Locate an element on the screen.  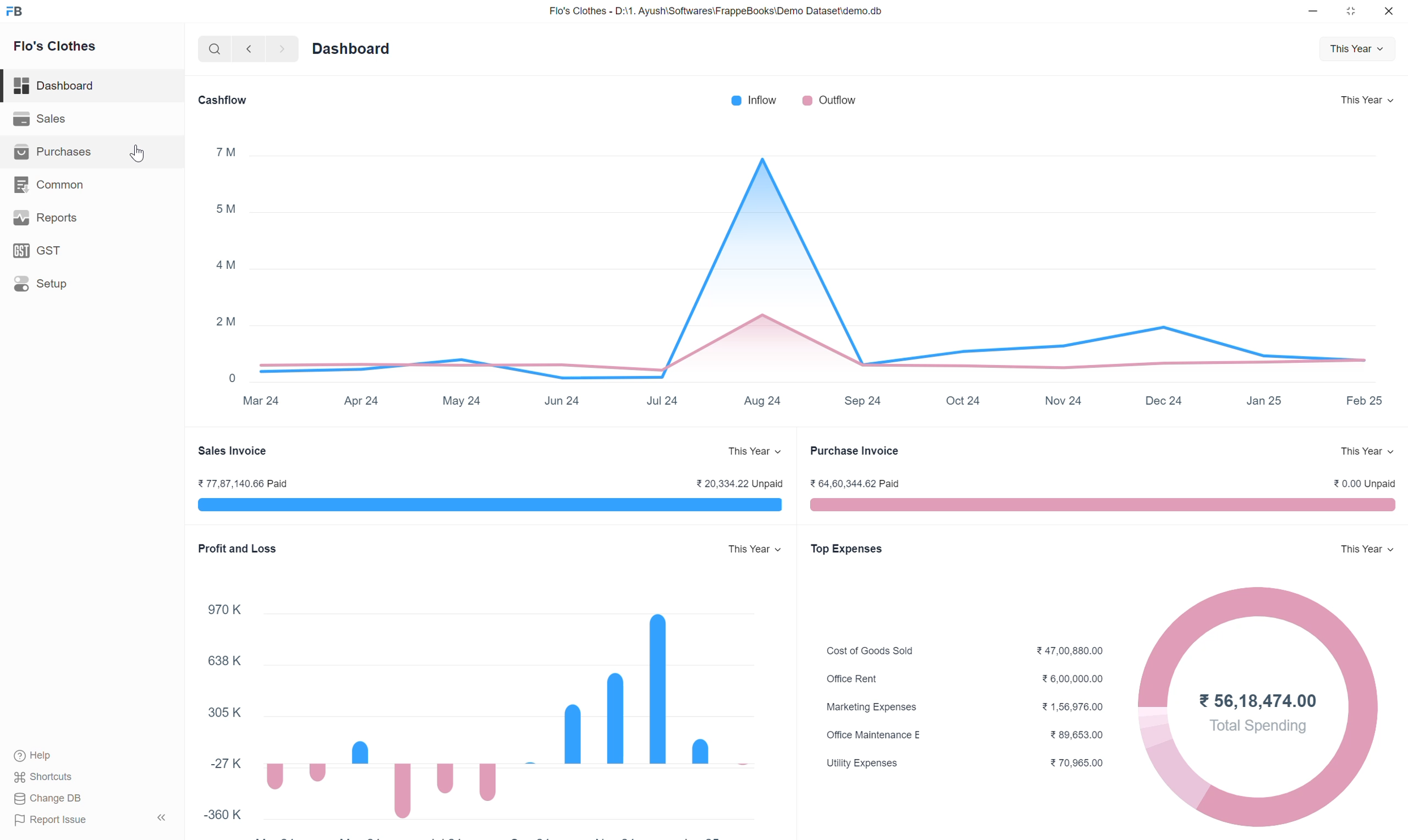
Flo's Clothes is located at coordinates (55, 44).